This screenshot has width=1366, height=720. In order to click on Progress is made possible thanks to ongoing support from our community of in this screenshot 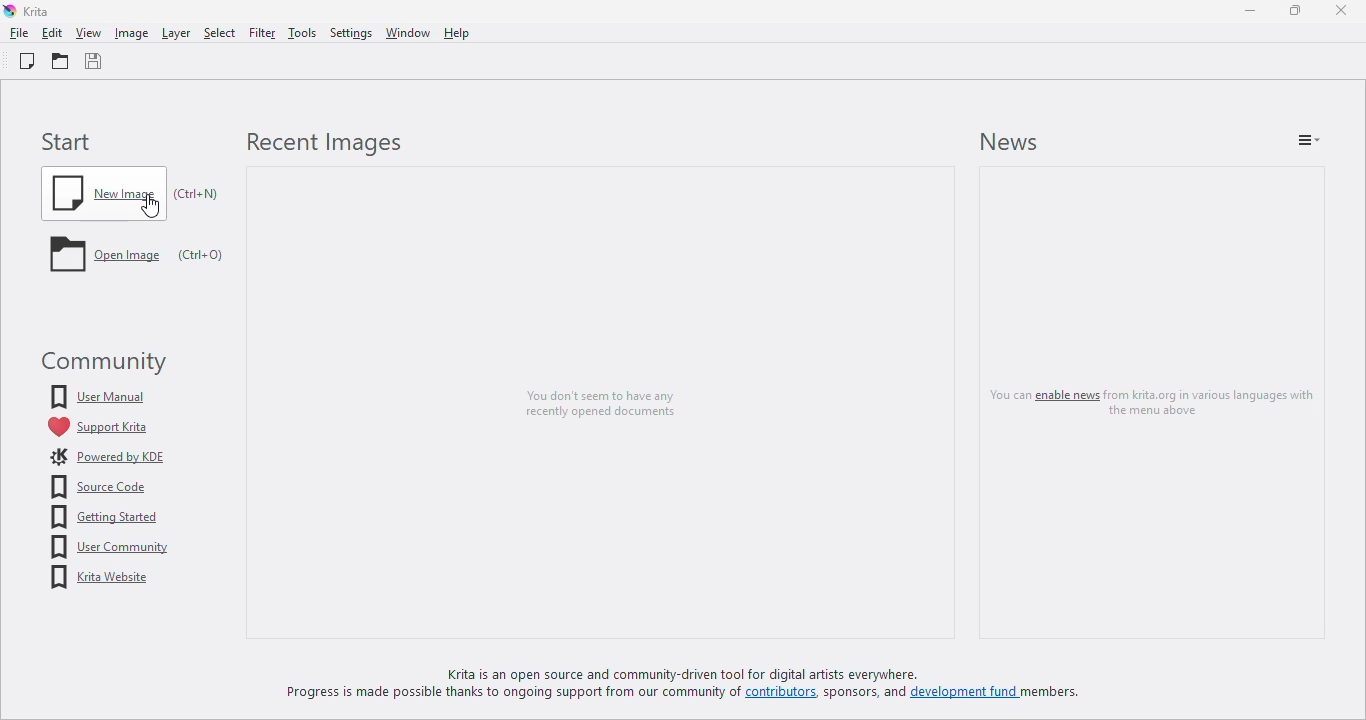, I will do `click(515, 695)`.